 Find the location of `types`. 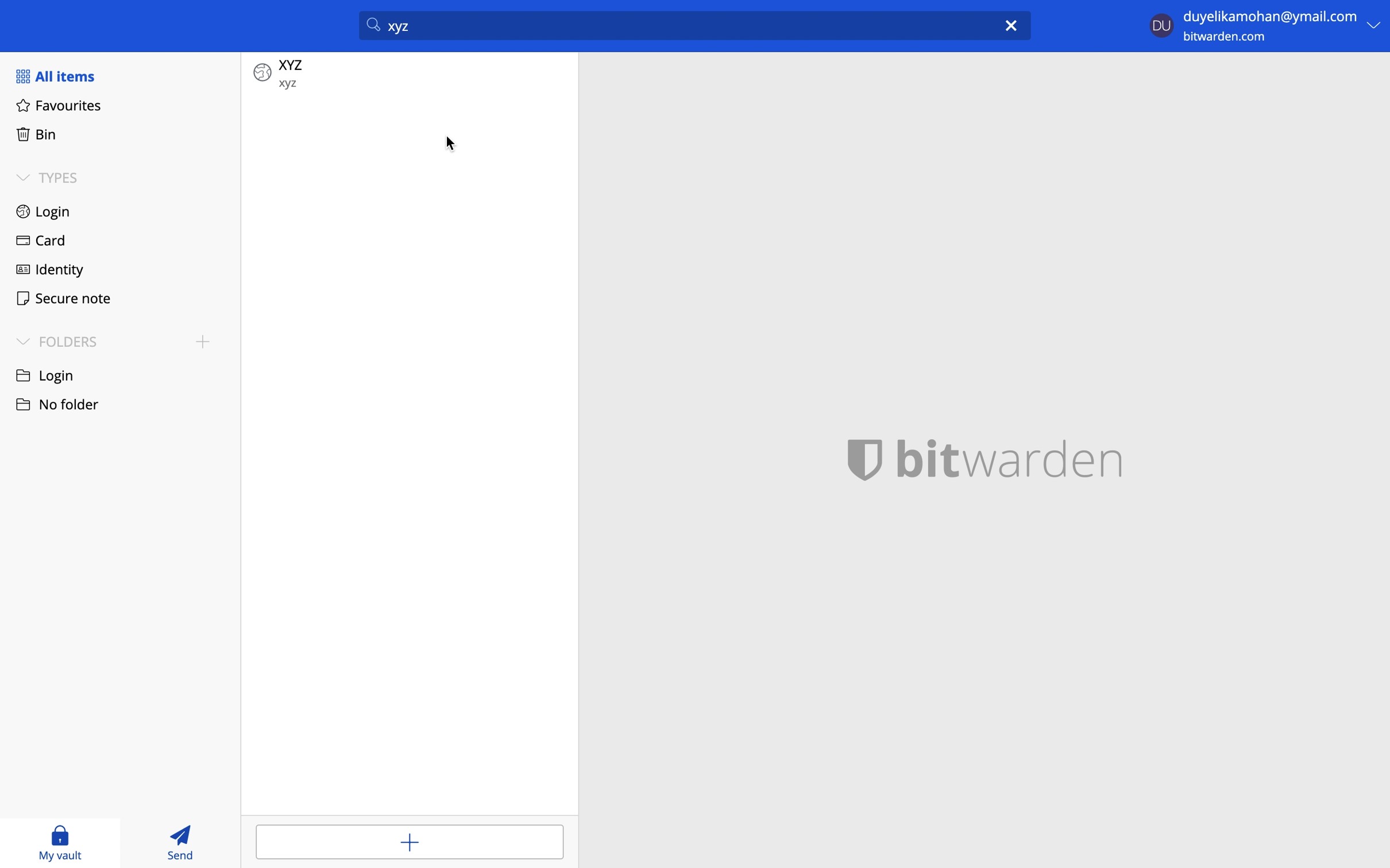

types is located at coordinates (55, 178).